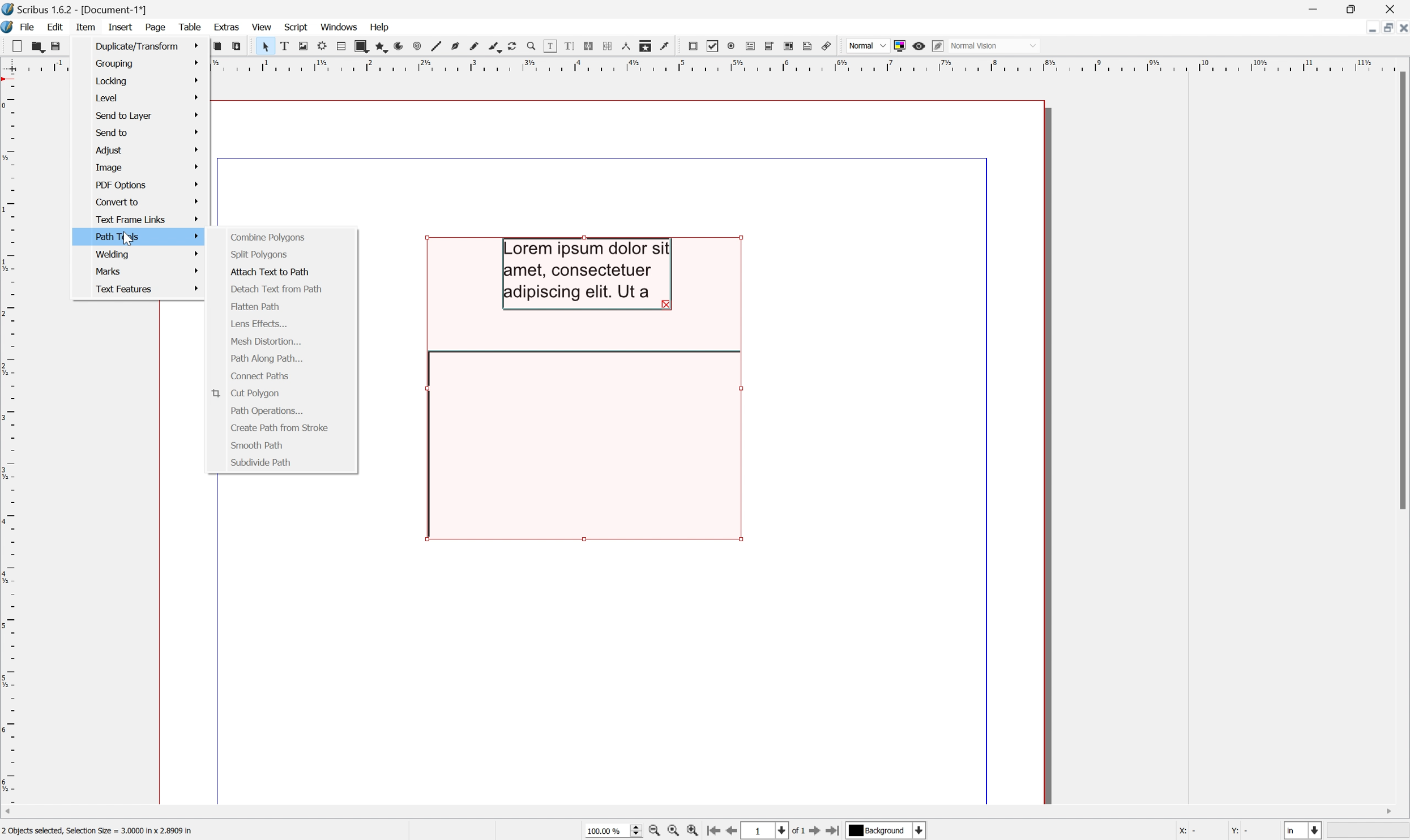 This screenshot has width=1410, height=840. What do you see at coordinates (9, 27) in the screenshot?
I see `Scribus icon` at bounding box center [9, 27].